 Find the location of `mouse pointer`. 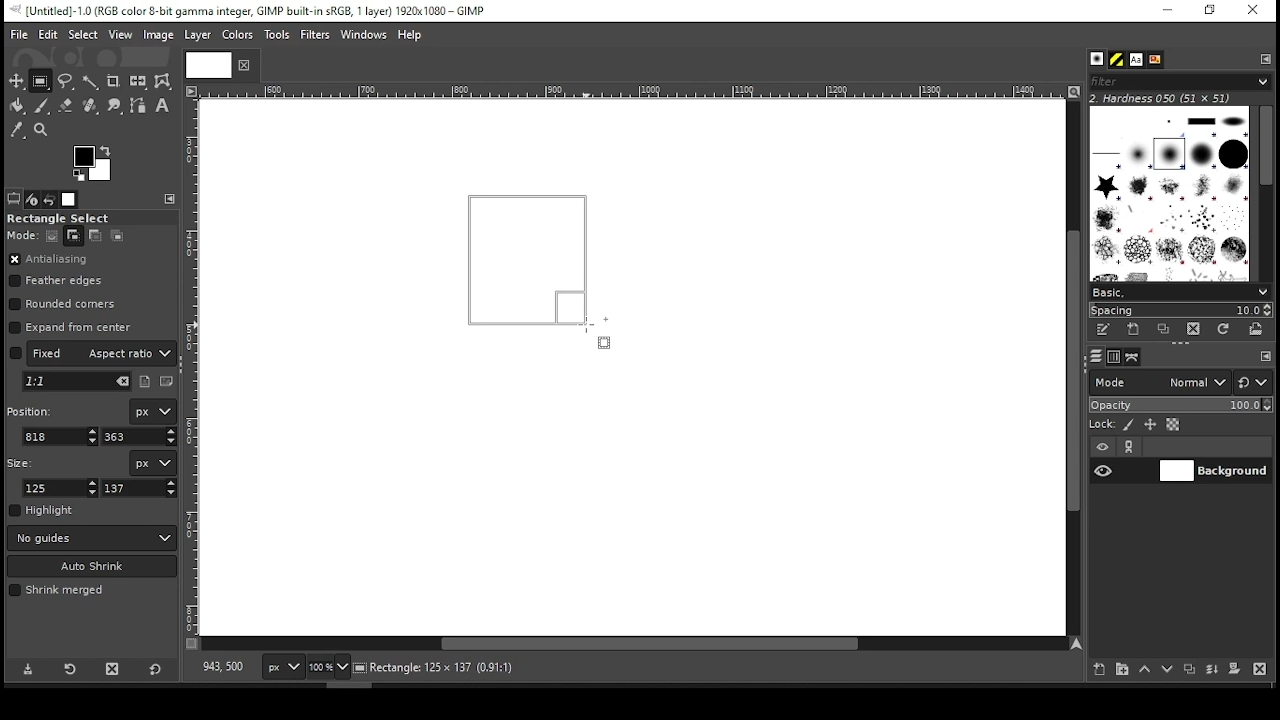

mouse pointer is located at coordinates (595, 332).